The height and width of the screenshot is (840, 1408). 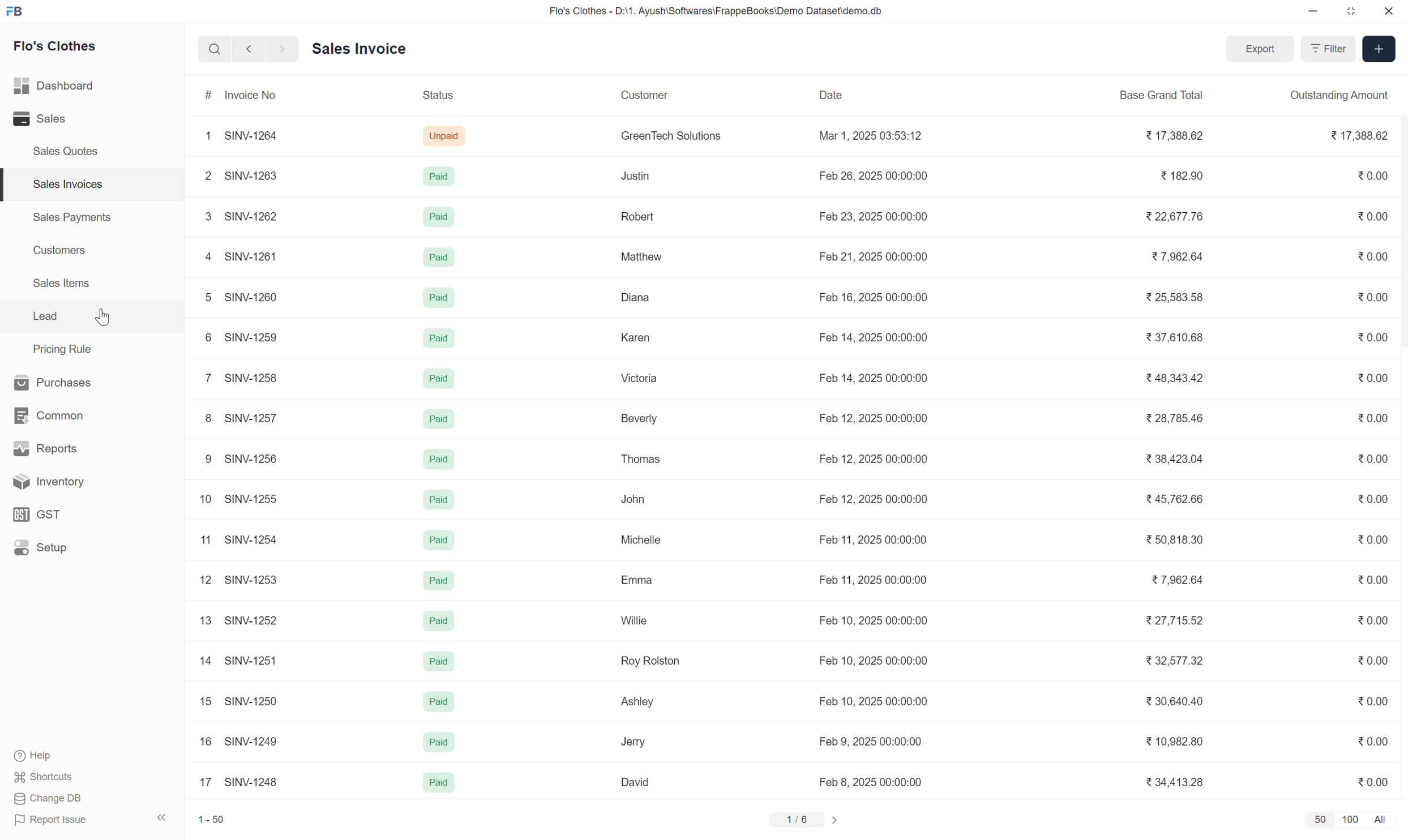 What do you see at coordinates (1371, 175) in the screenshot?
I see `0.00` at bounding box center [1371, 175].